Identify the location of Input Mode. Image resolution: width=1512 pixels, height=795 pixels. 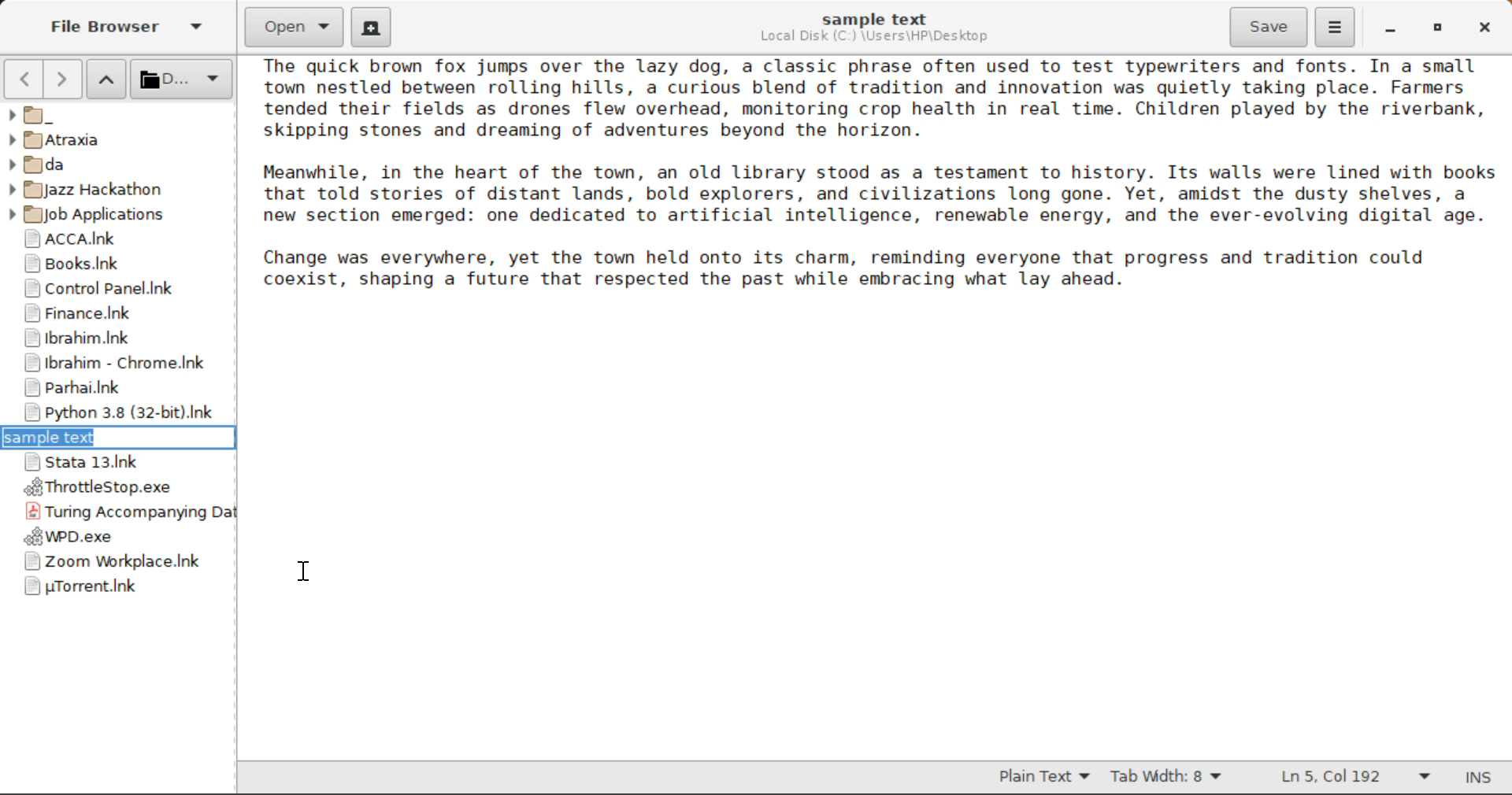
(1484, 778).